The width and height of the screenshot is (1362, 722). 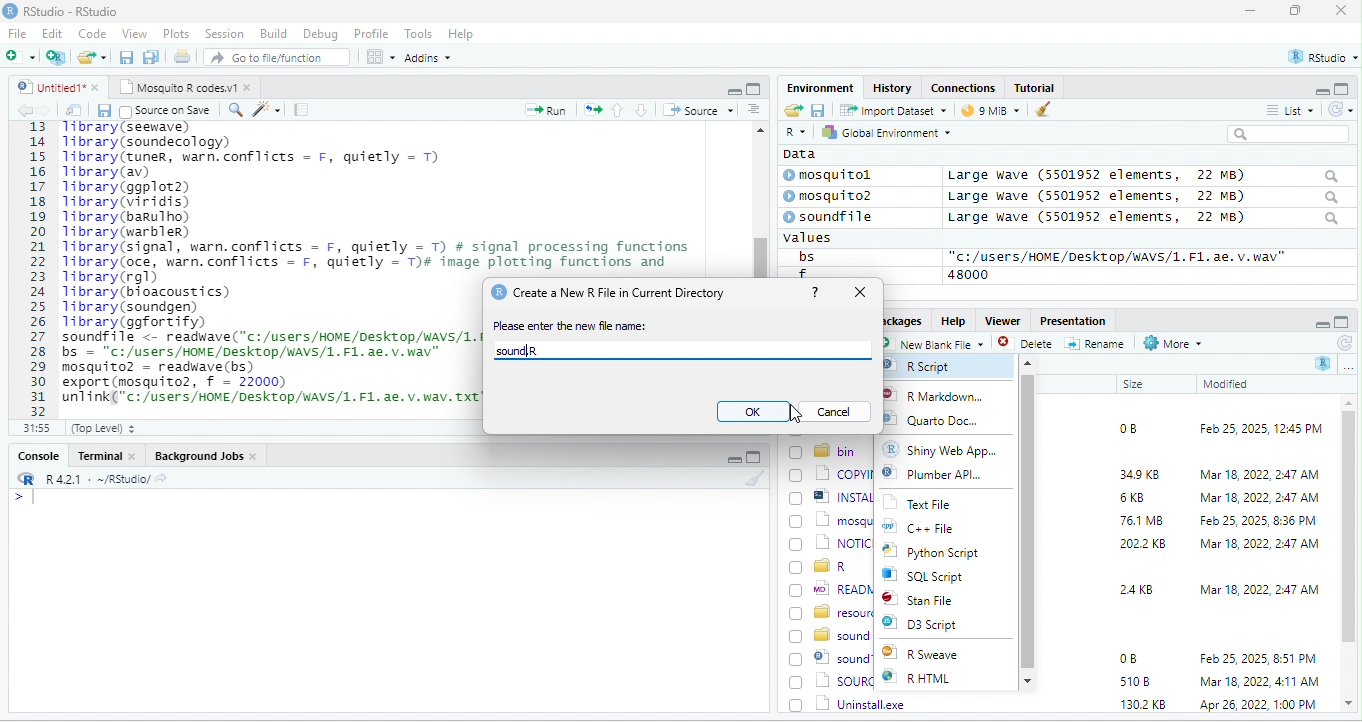 I want to click on maximize, so click(x=753, y=457).